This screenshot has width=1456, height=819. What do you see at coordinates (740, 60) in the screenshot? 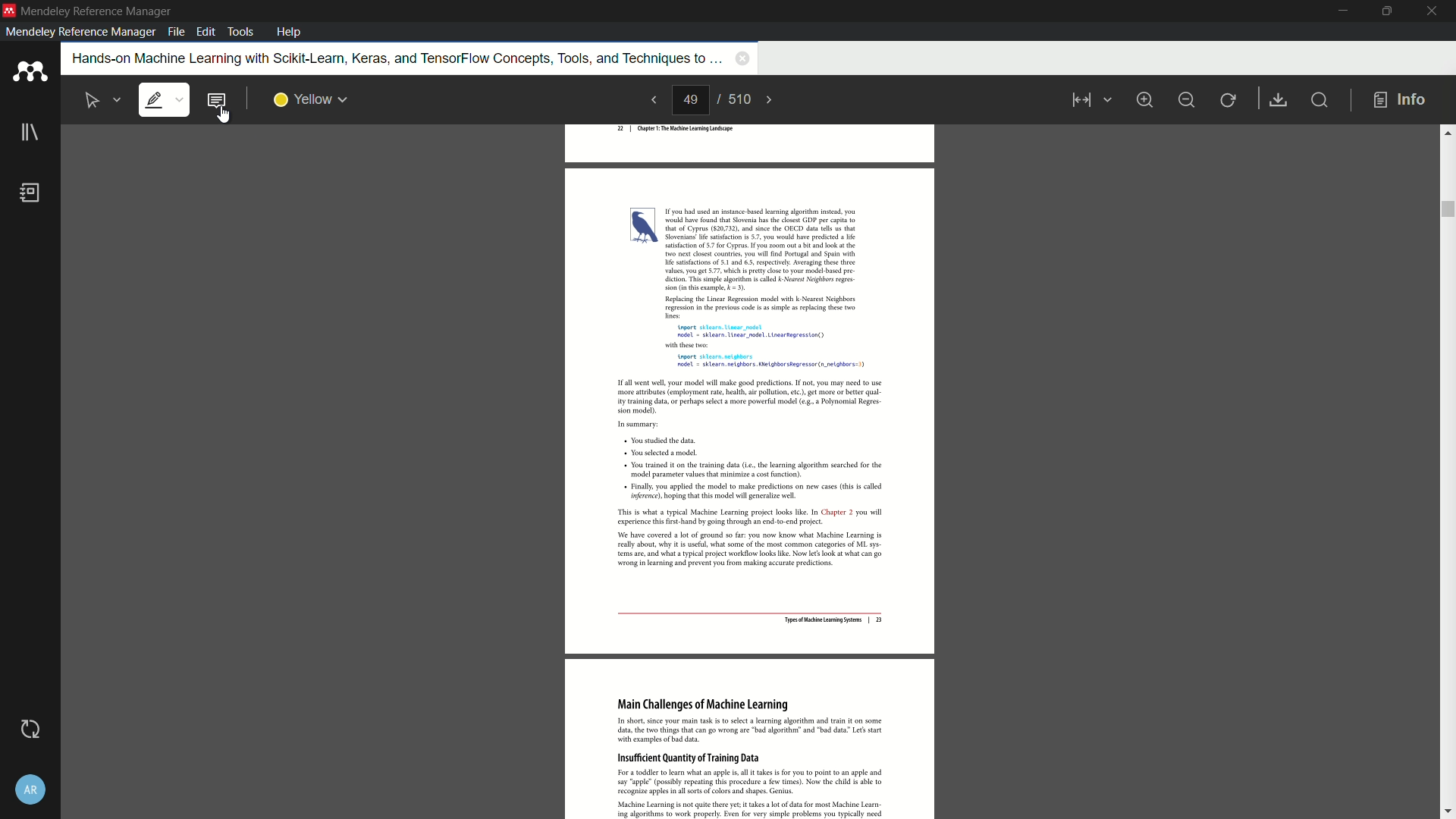
I see `close book` at bounding box center [740, 60].